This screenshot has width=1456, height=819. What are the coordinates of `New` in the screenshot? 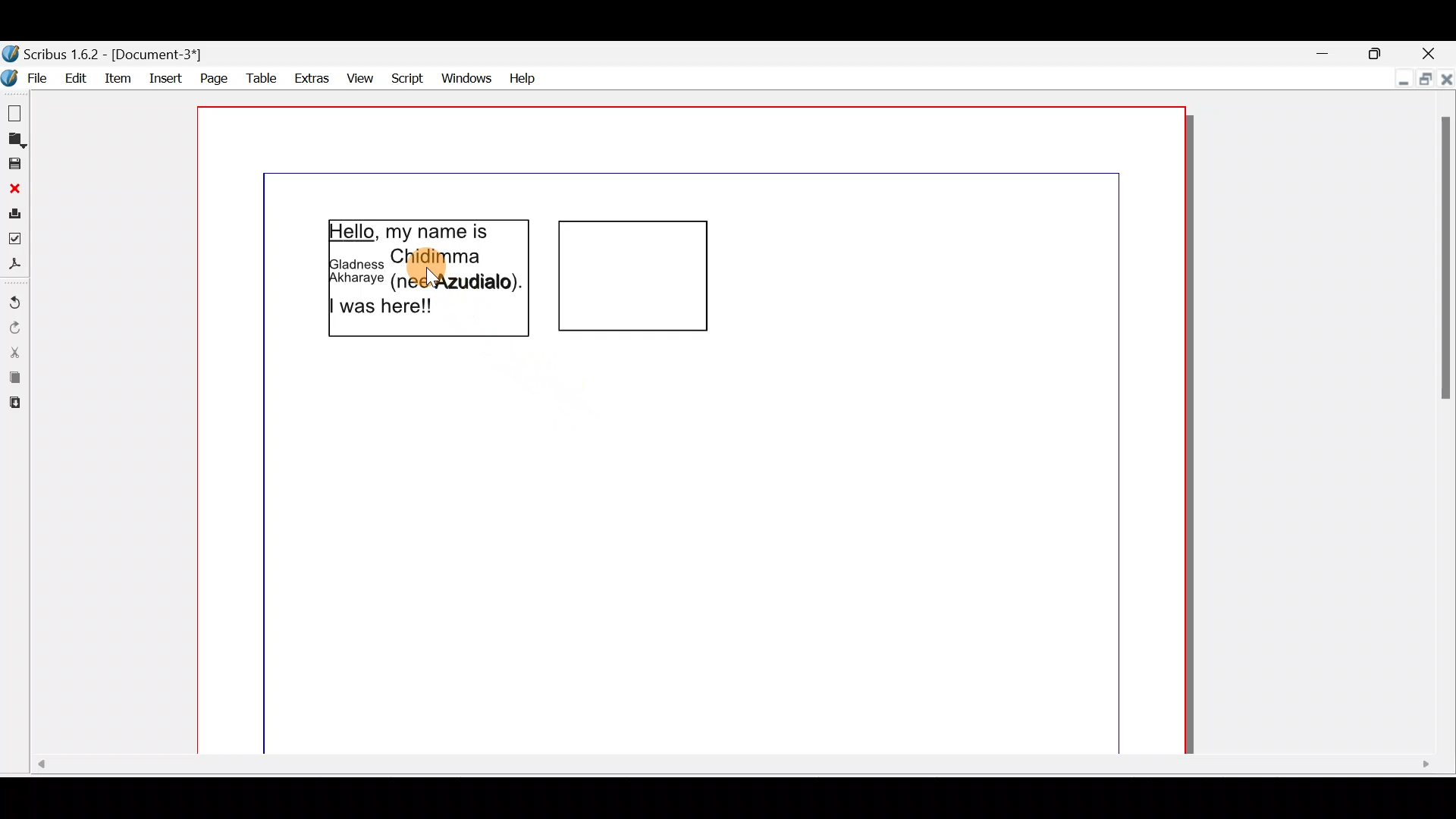 It's located at (17, 112).